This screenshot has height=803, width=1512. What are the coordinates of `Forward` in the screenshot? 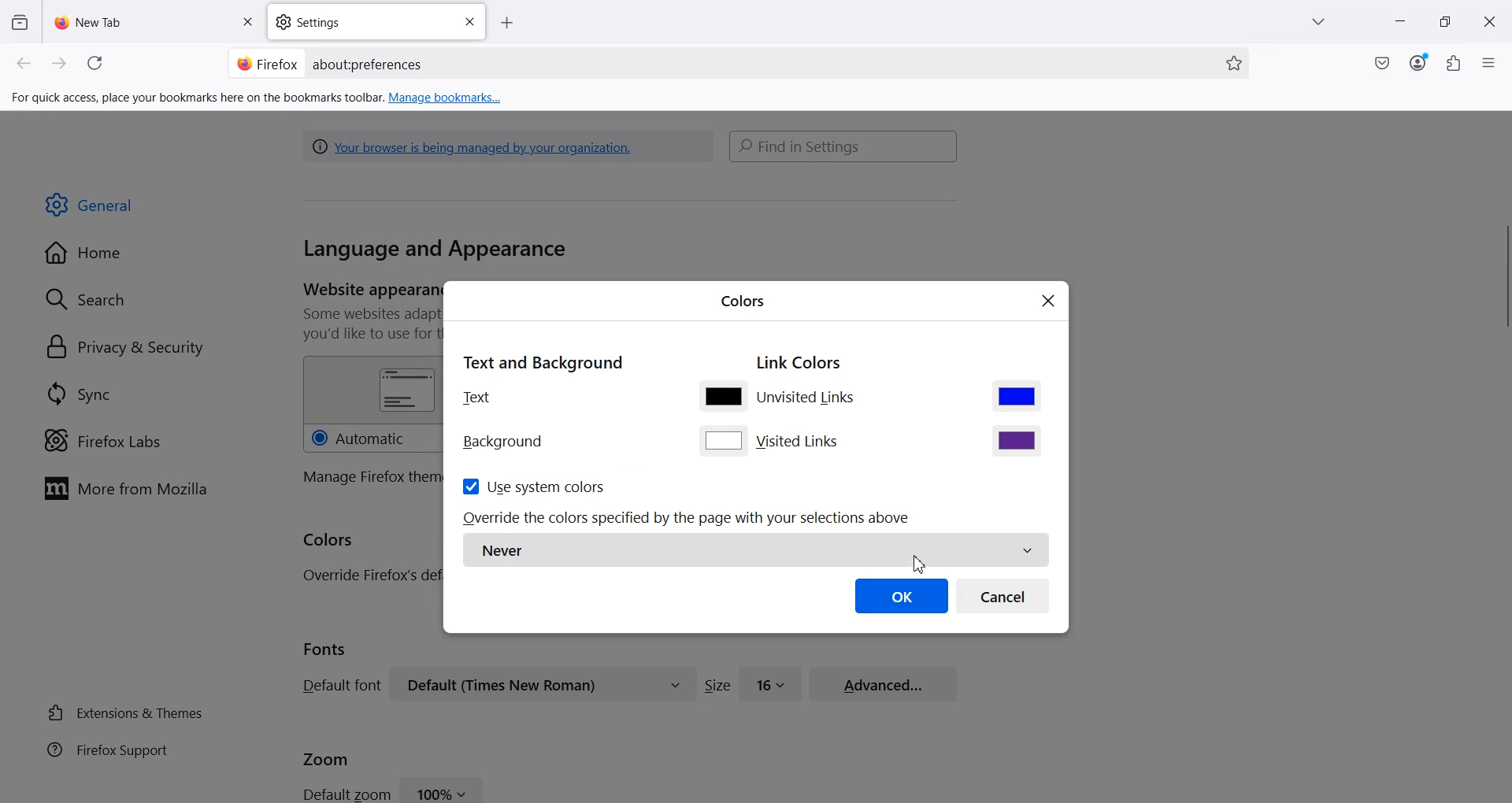 It's located at (60, 64).